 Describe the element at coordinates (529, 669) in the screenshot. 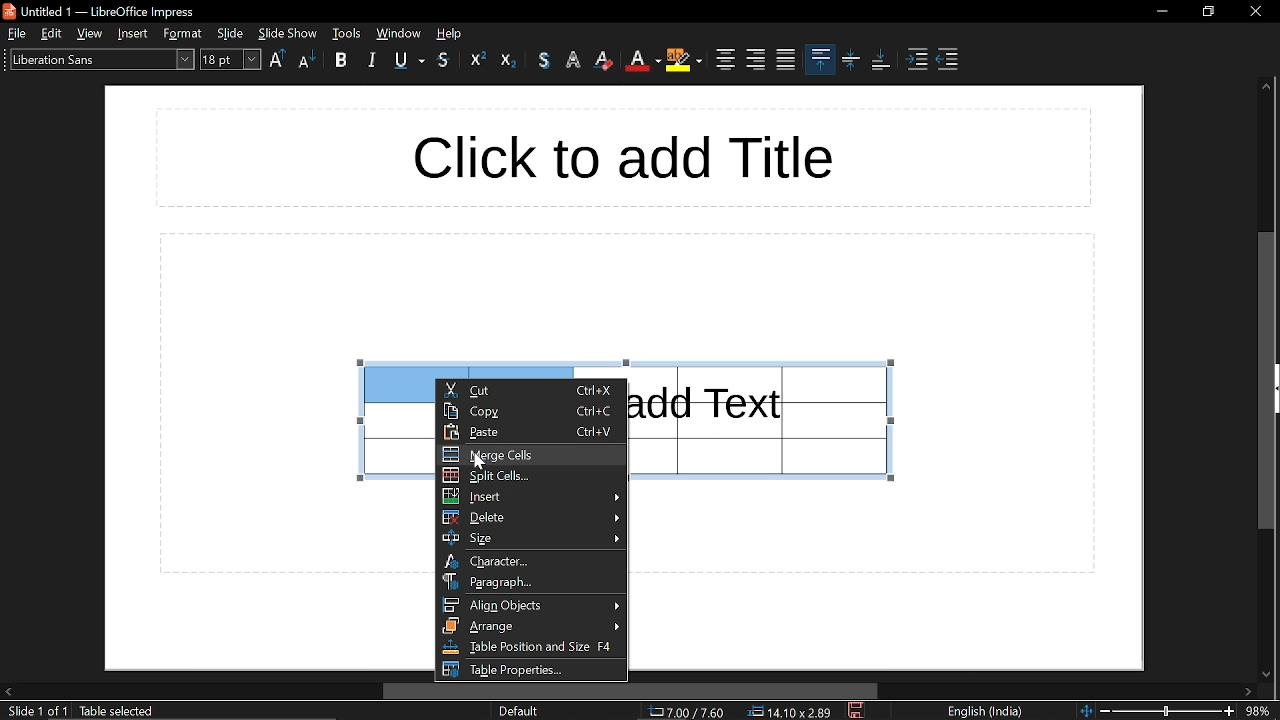

I see `table position` at that location.